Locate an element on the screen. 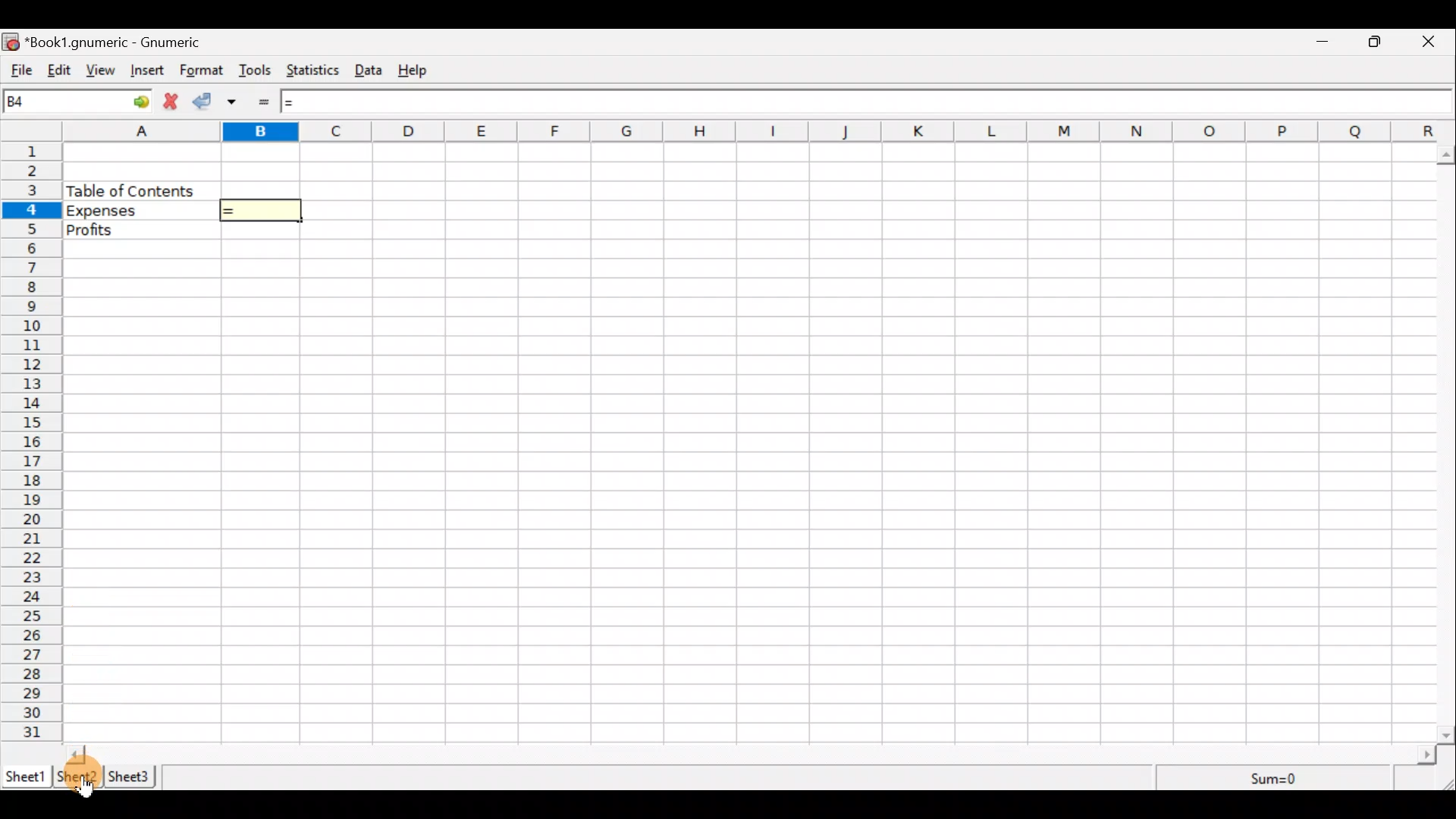  Enter formula is located at coordinates (268, 102).